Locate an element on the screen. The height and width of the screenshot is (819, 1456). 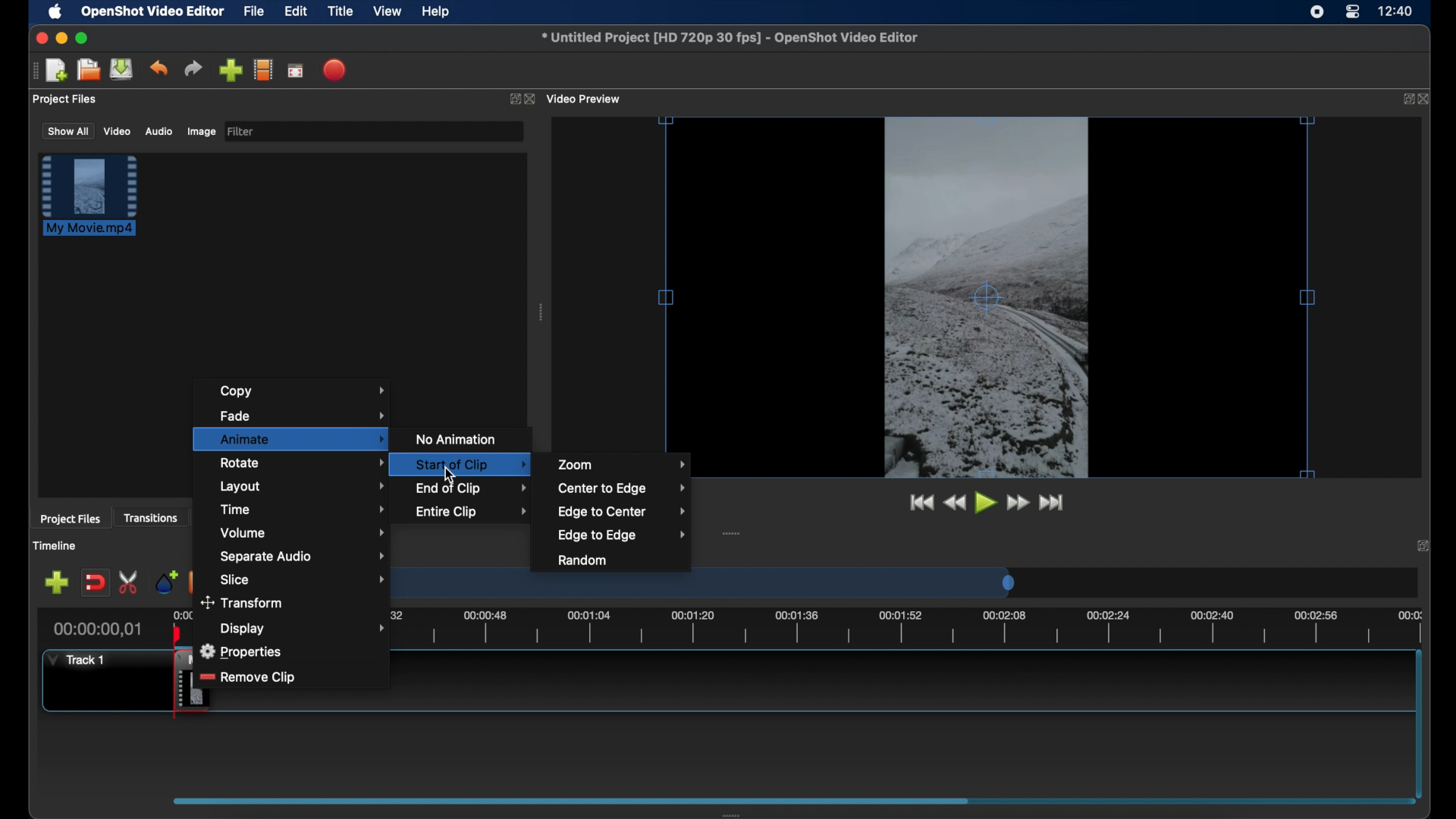
new project is located at coordinates (57, 71).